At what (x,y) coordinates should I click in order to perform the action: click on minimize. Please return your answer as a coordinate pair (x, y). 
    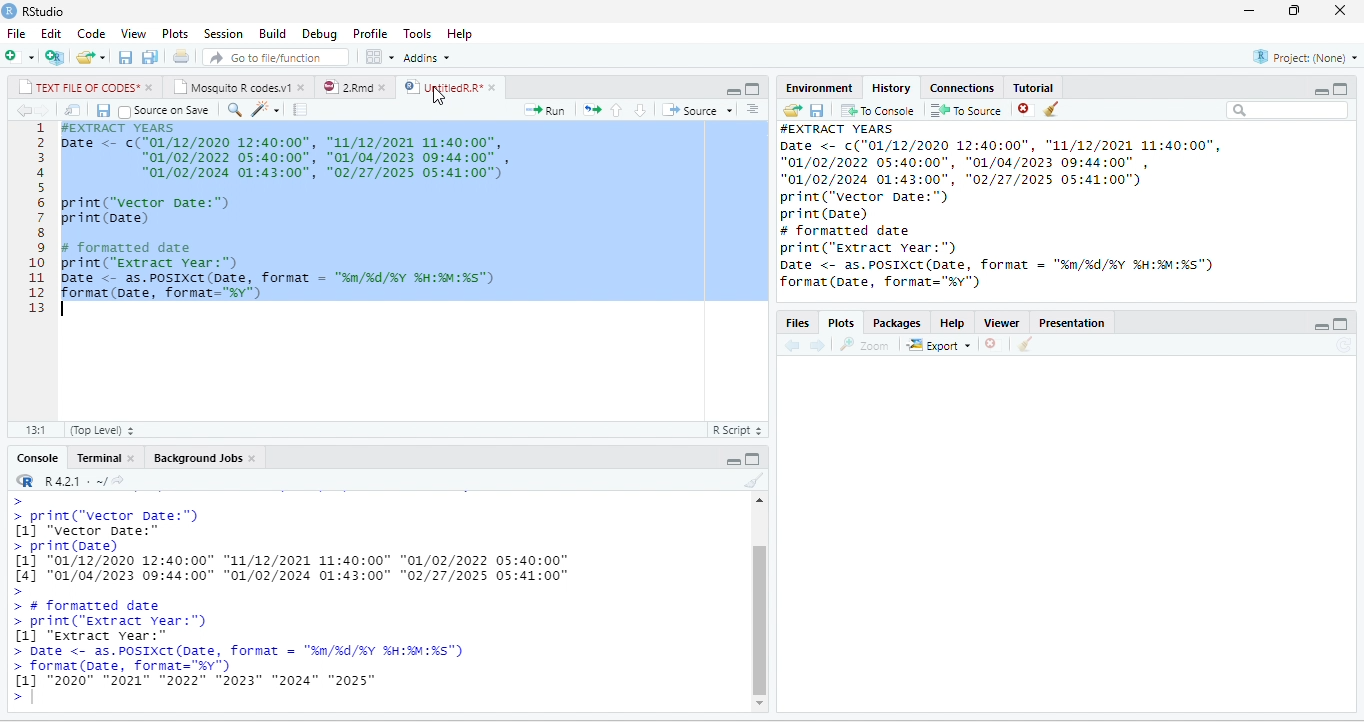
    Looking at the image, I should click on (1321, 326).